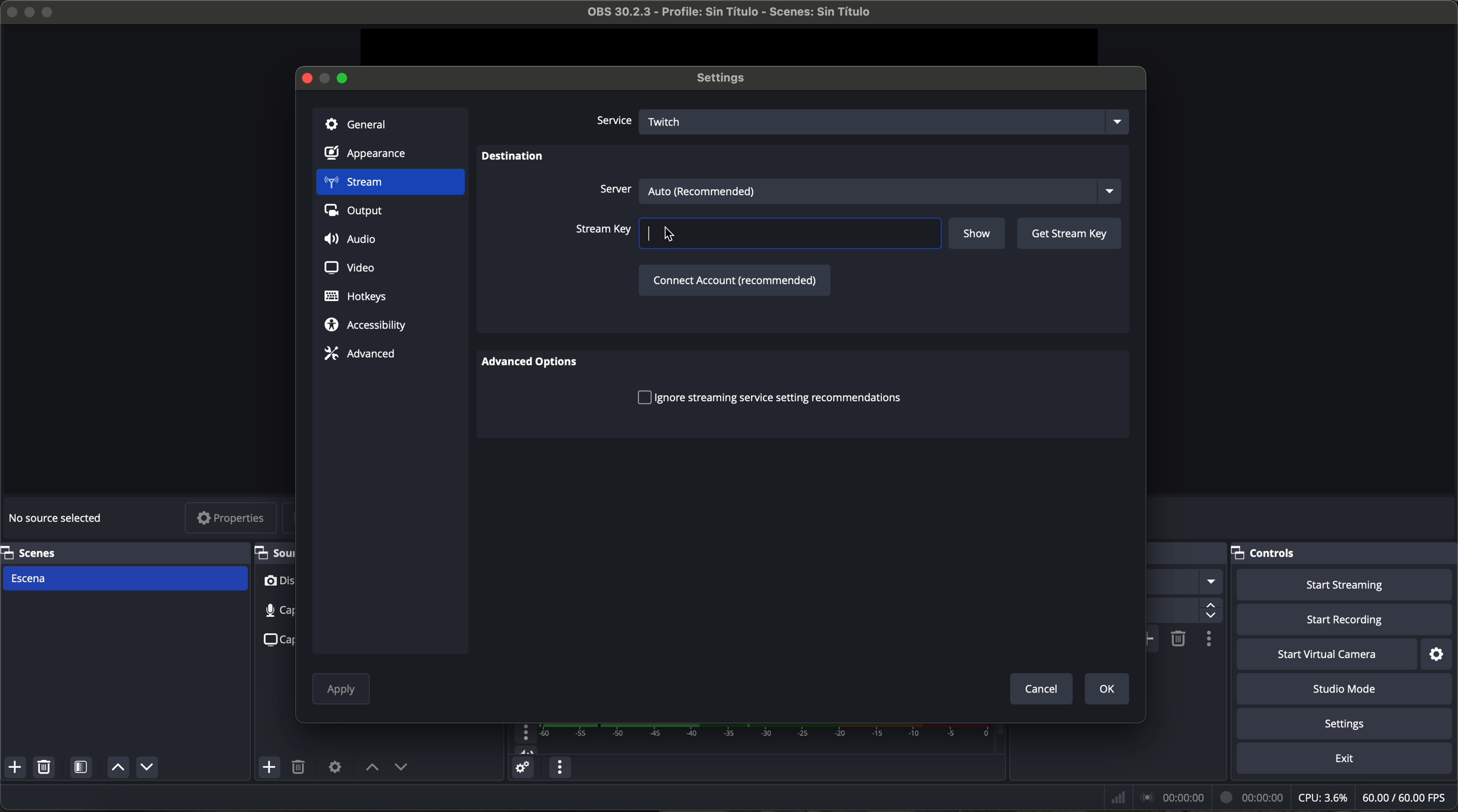 The width and height of the screenshot is (1458, 812). Describe the element at coordinates (1438, 654) in the screenshot. I see `settings` at that location.